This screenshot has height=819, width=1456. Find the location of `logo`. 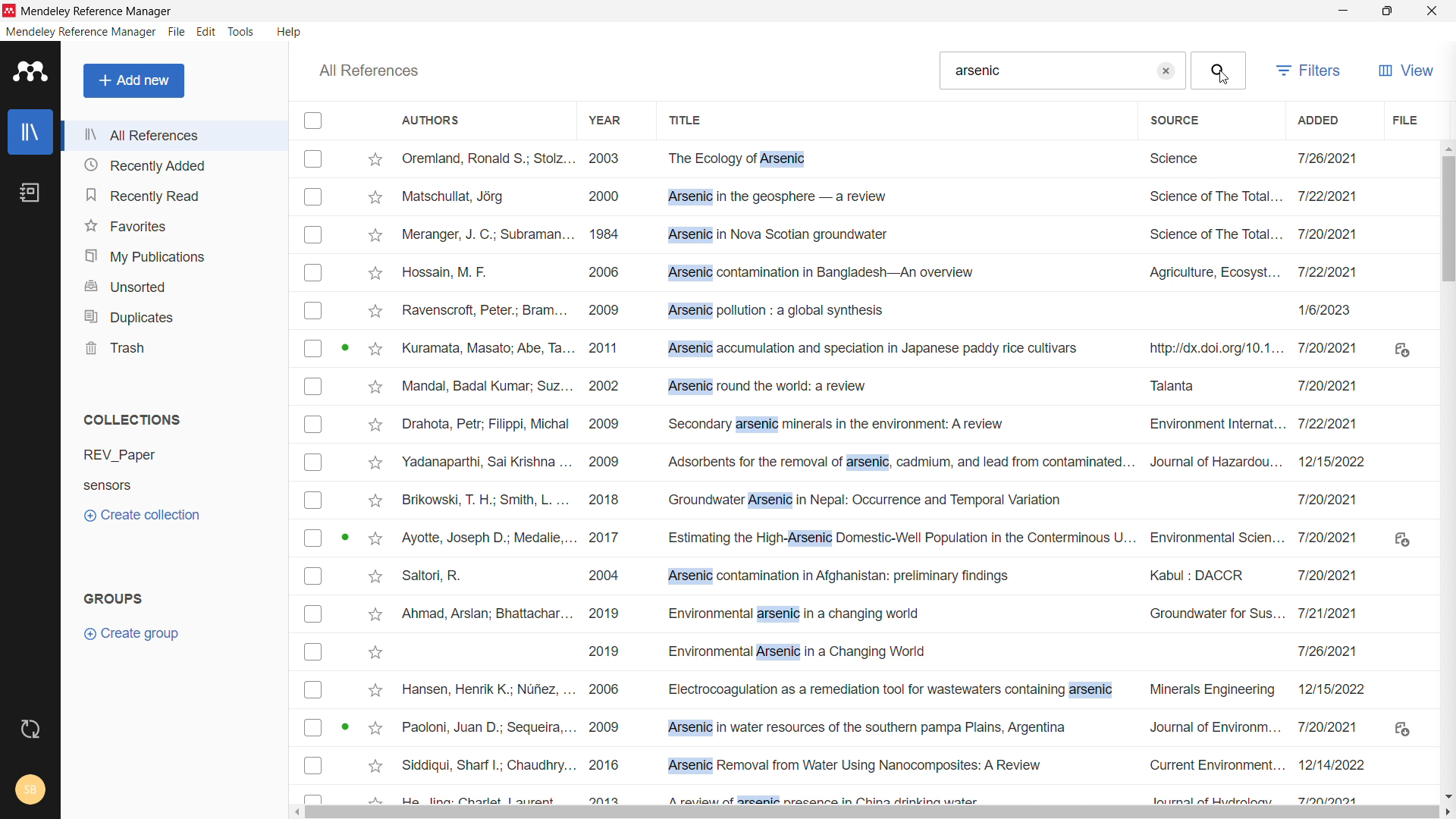

logo is located at coordinates (10, 11).